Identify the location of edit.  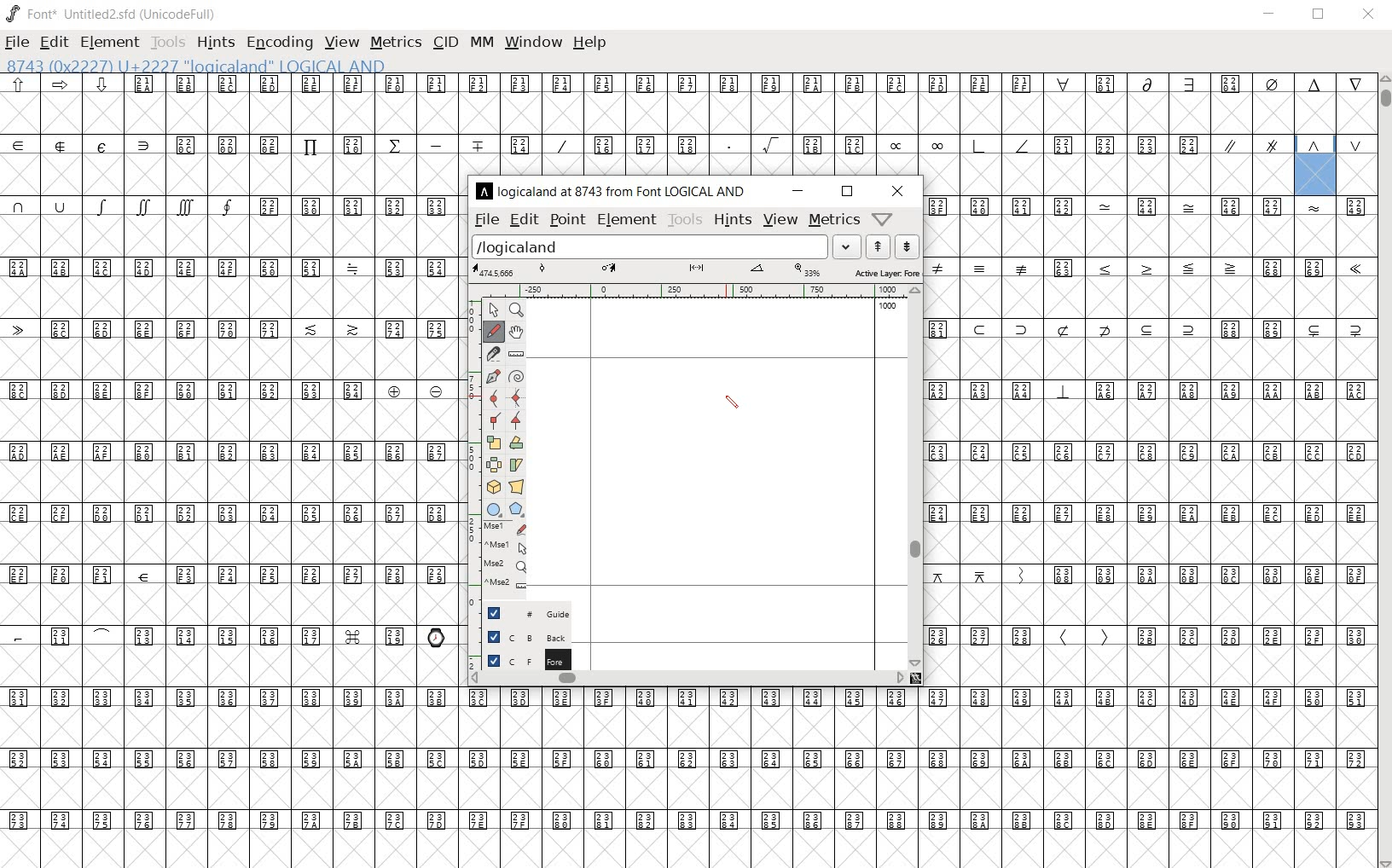
(523, 219).